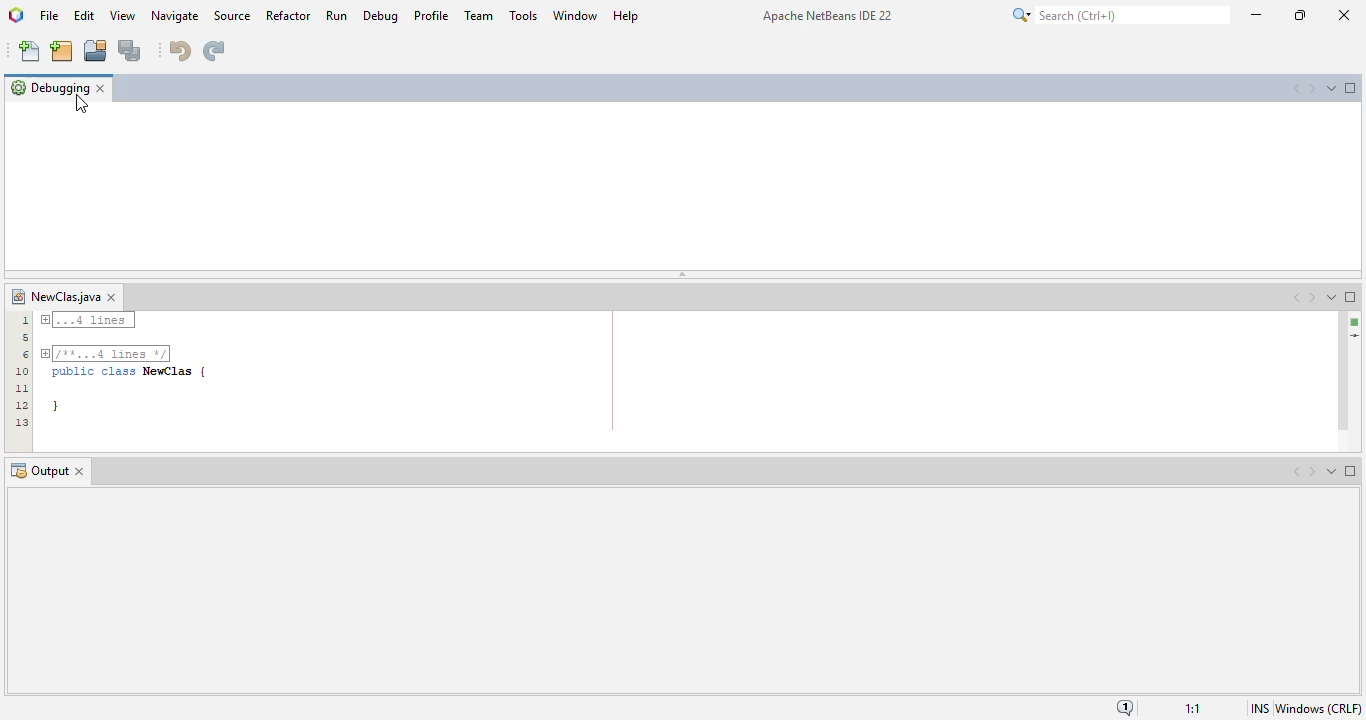 Image resolution: width=1366 pixels, height=720 pixels. What do you see at coordinates (1343, 15) in the screenshot?
I see `close` at bounding box center [1343, 15].